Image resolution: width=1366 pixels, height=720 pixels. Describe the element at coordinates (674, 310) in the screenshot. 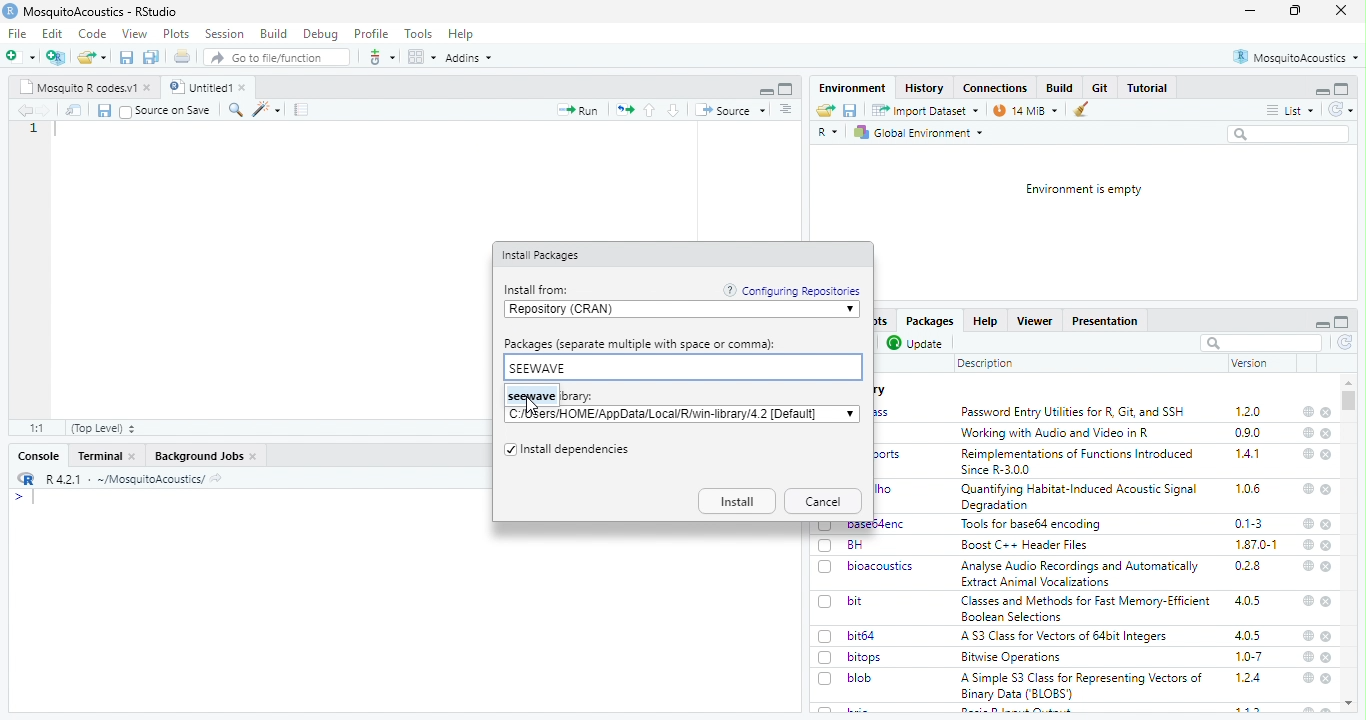

I see `Repository (CRAN)` at that location.